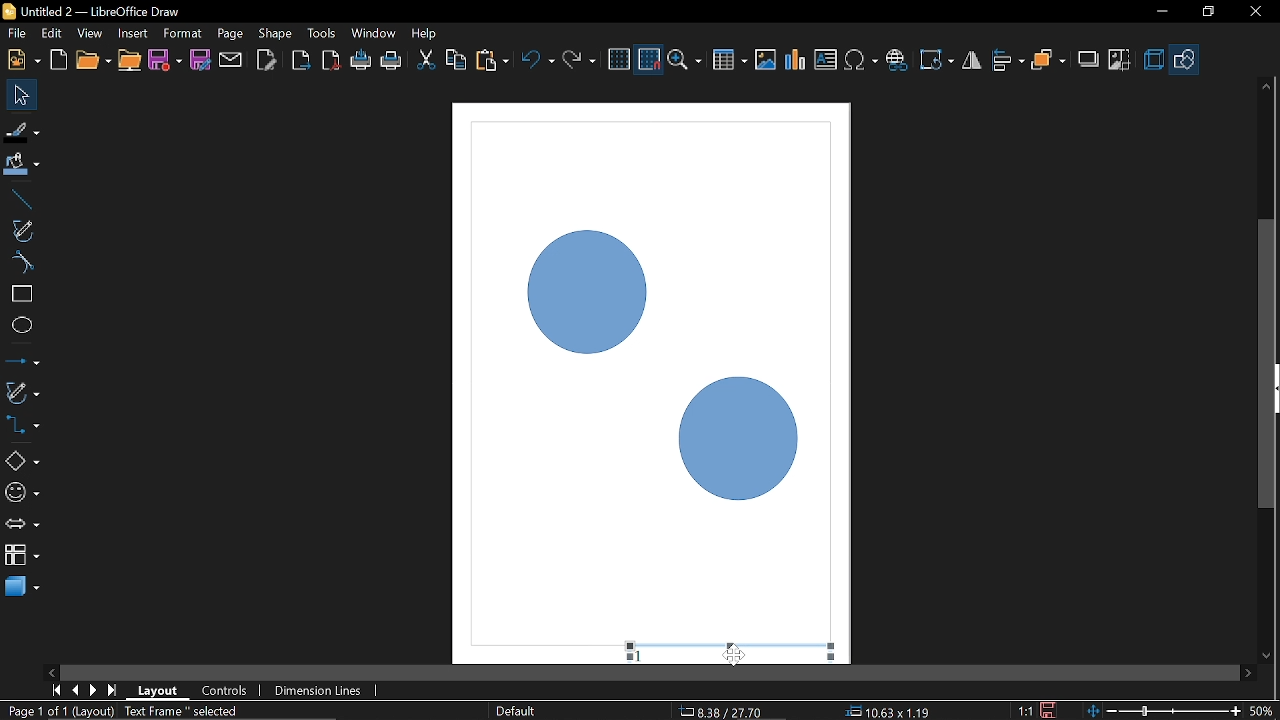 The width and height of the screenshot is (1280, 720). What do you see at coordinates (392, 60) in the screenshot?
I see `print directly` at bounding box center [392, 60].